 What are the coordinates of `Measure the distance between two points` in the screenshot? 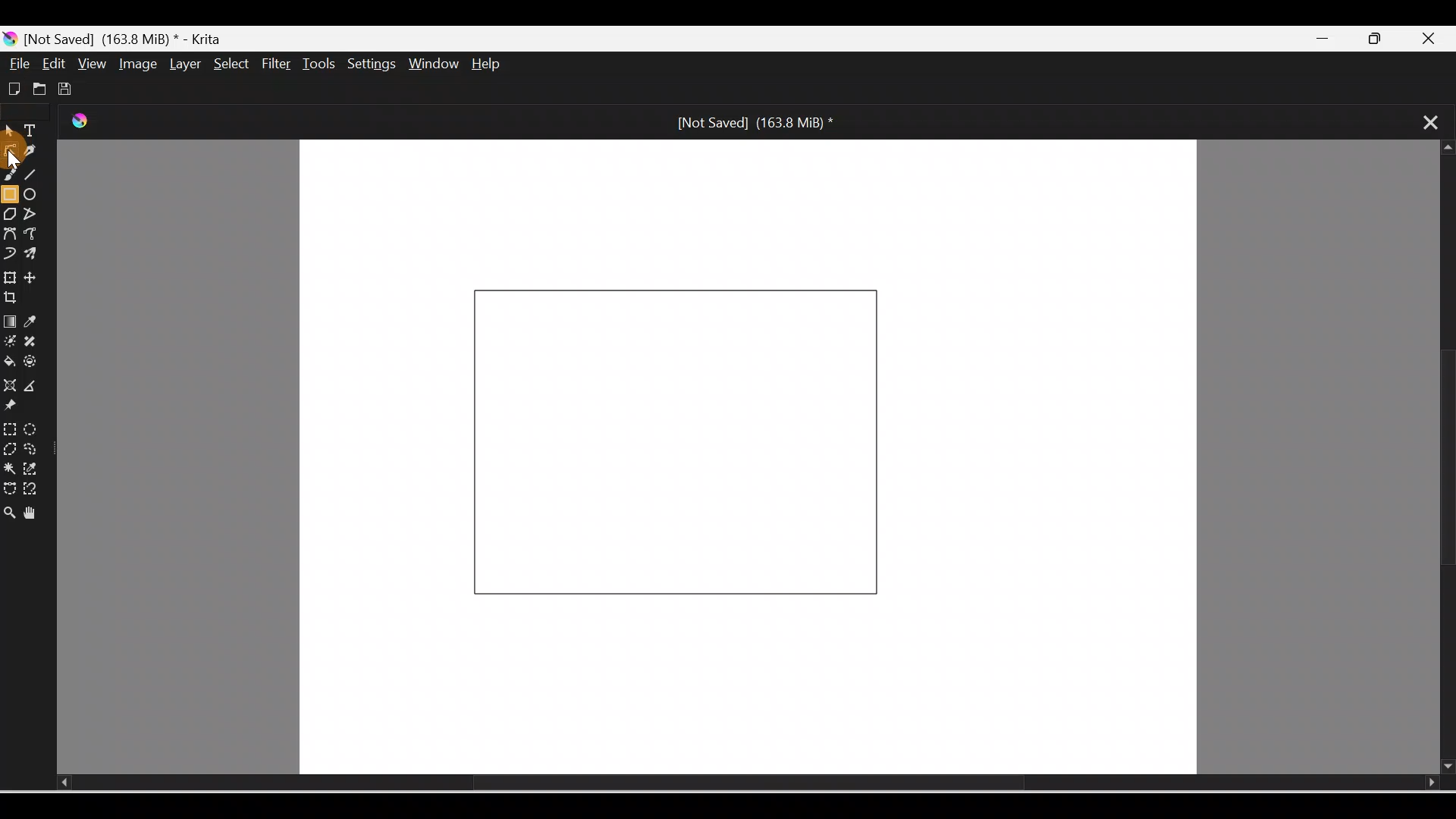 It's located at (36, 387).